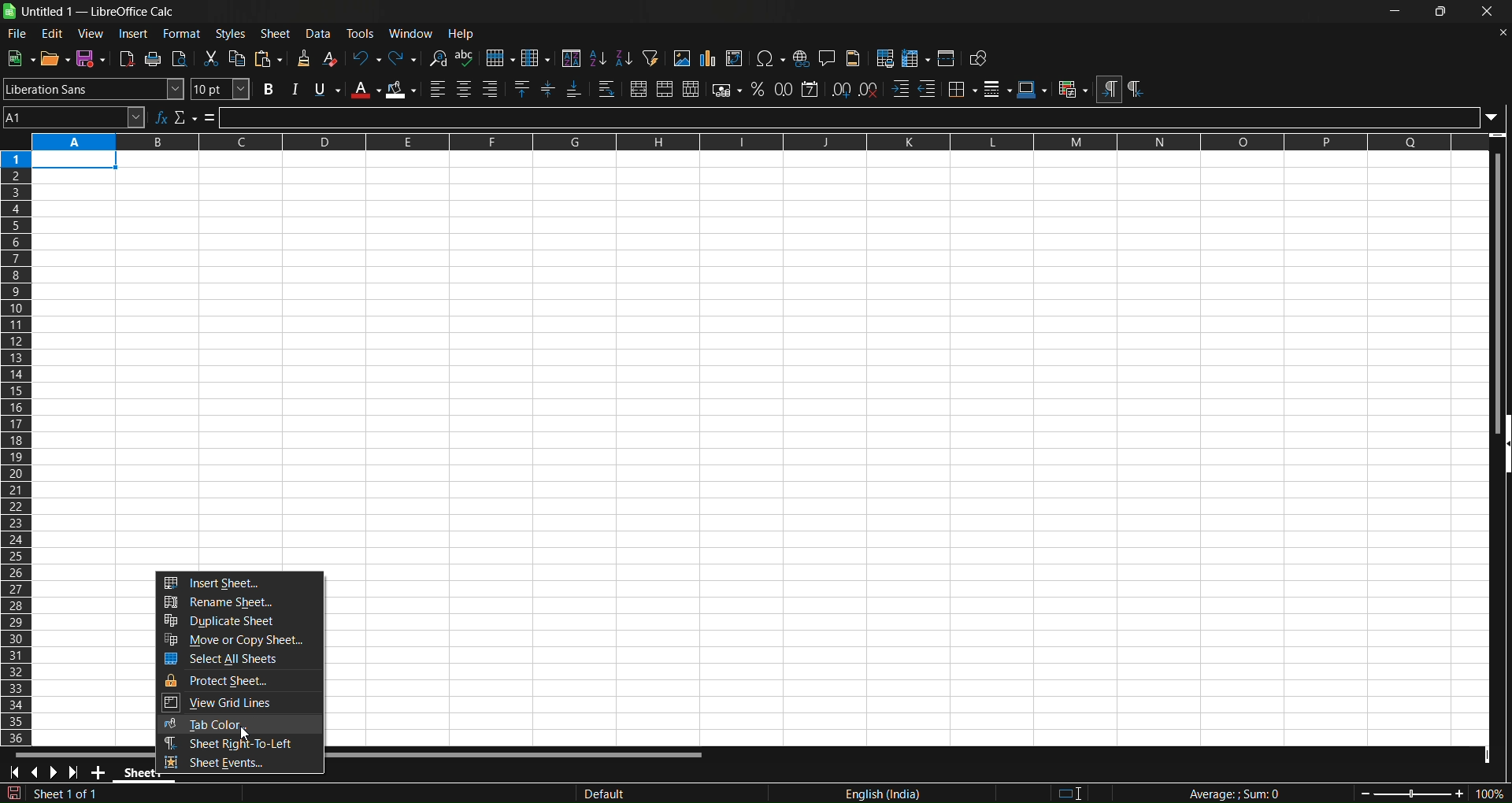 The width and height of the screenshot is (1512, 803). I want to click on new, so click(20, 57).